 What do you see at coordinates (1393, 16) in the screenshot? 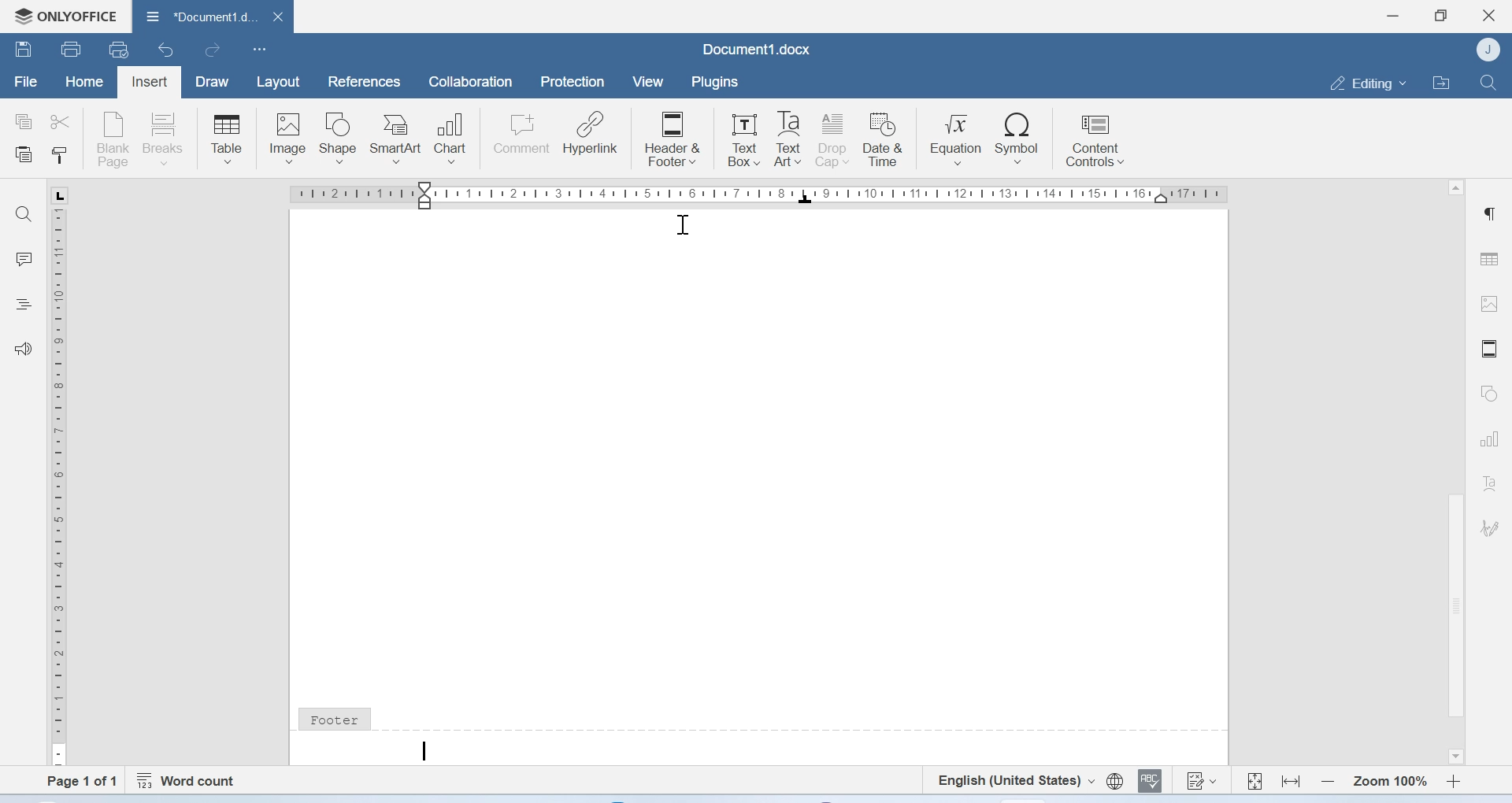
I see `Minimize` at bounding box center [1393, 16].